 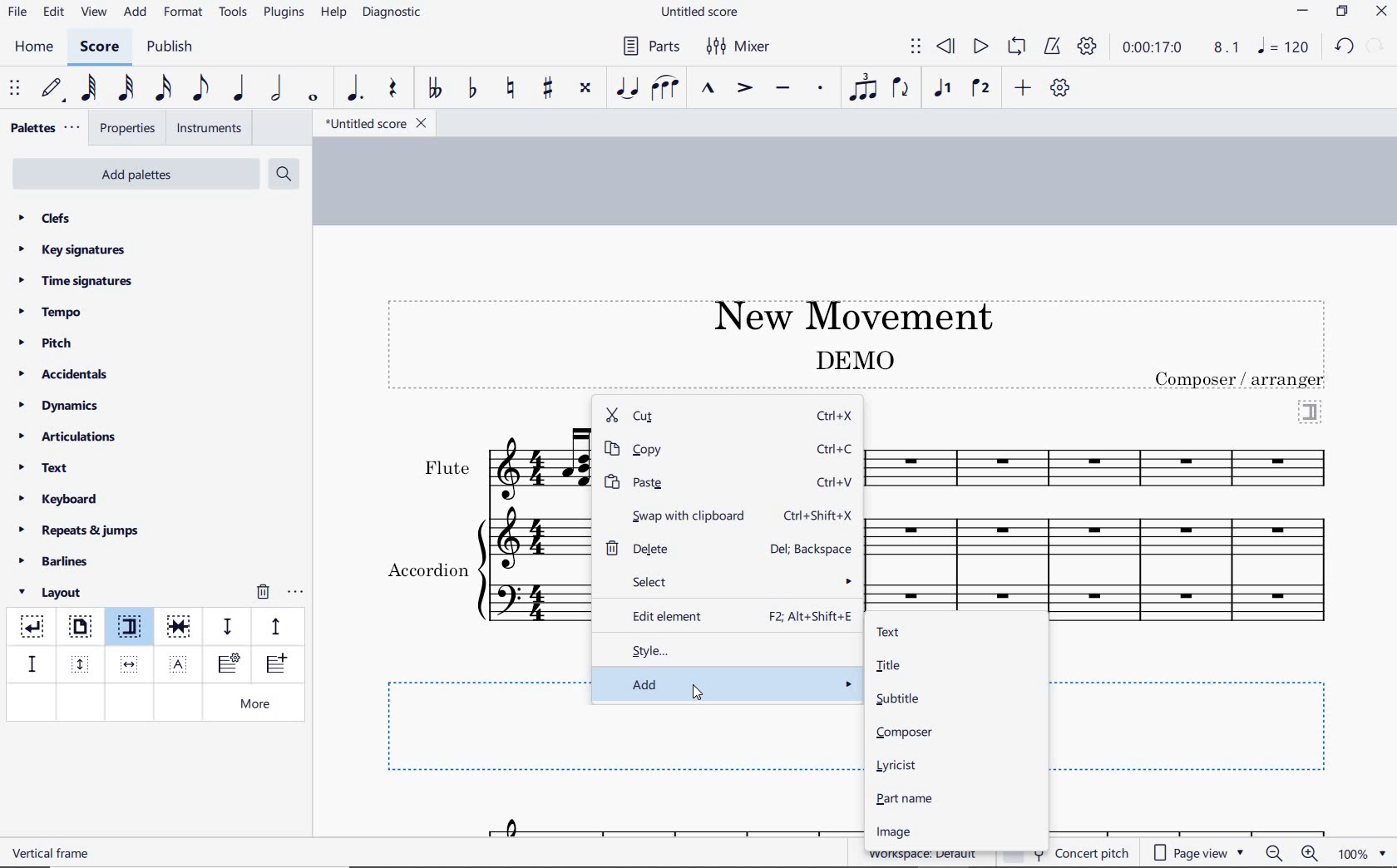 What do you see at coordinates (702, 12) in the screenshot?
I see `file name` at bounding box center [702, 12].